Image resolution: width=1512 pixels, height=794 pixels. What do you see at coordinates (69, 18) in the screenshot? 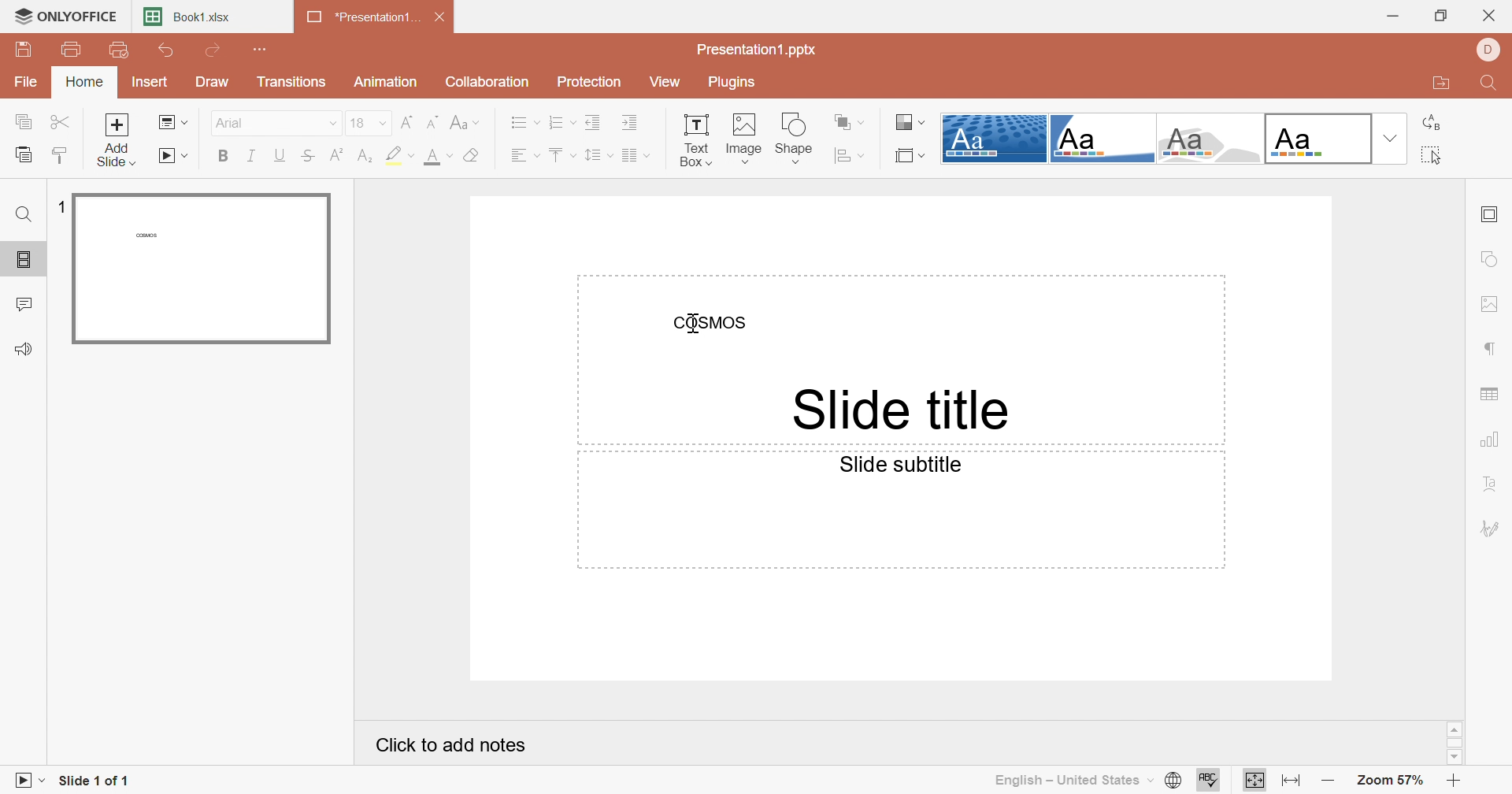
I see `ONLYOFFICE` at bounding box center [69, 18].